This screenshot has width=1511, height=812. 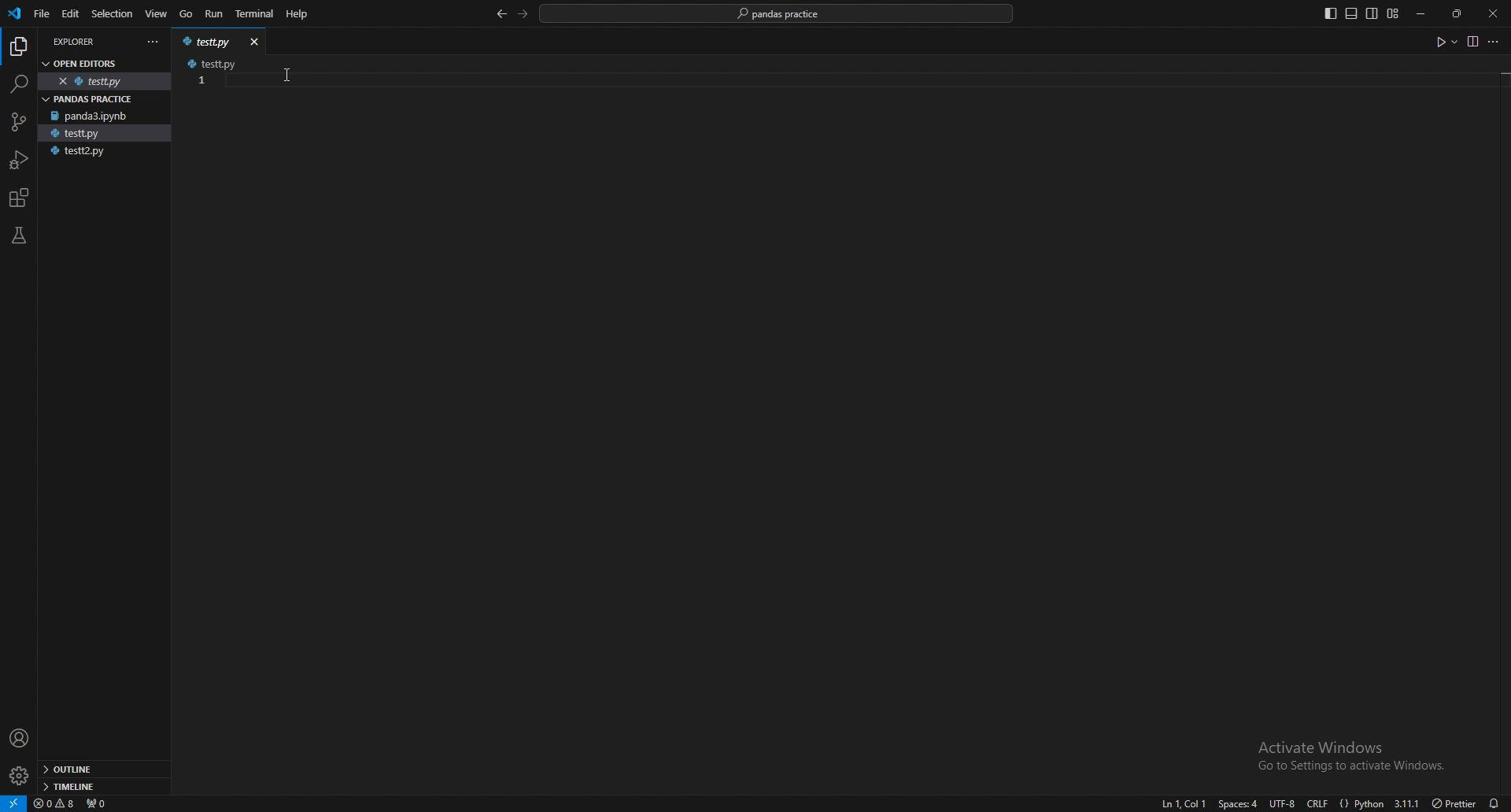 What do you see at coordinates (55, 803) in the screenshot?
I see `warnings` at bounding box center [55, 803].